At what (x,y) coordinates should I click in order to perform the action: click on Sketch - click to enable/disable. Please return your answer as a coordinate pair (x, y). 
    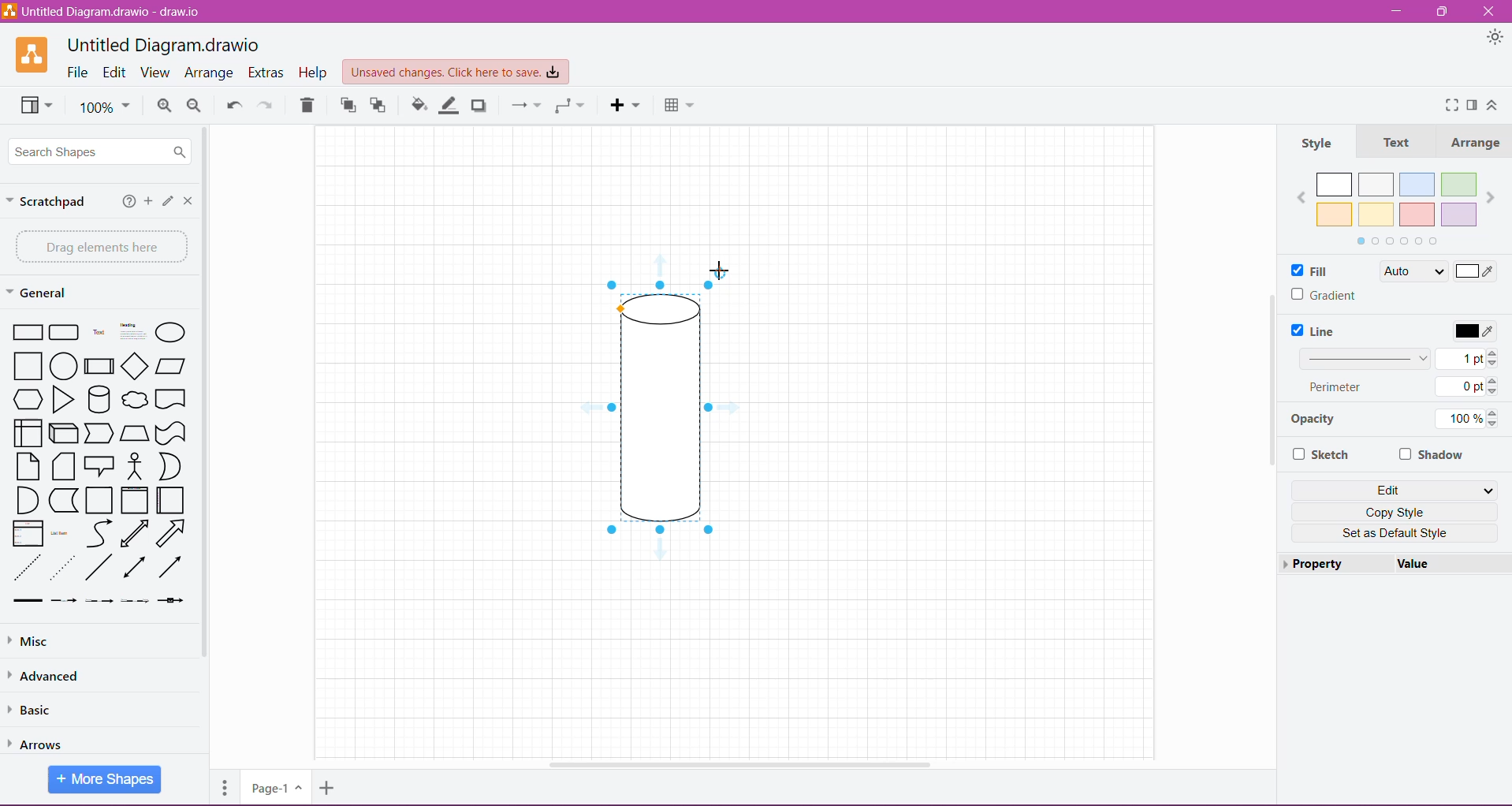
    Looking at the image, I should click on (1324, 455).